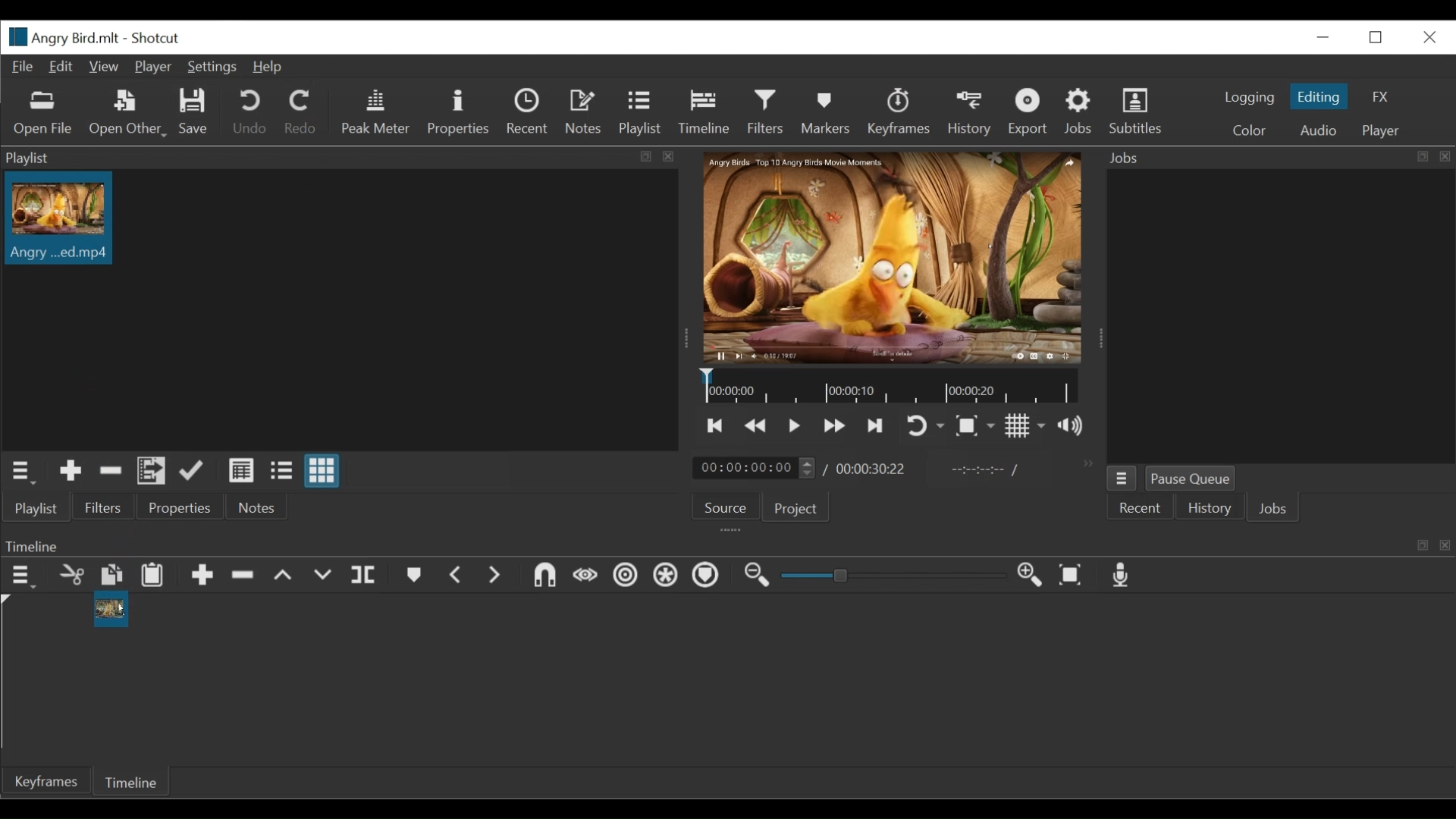  What do you see at coordinates (1378, 131) in the screenshot?
I see `player` at bounding box center [1378, 131].